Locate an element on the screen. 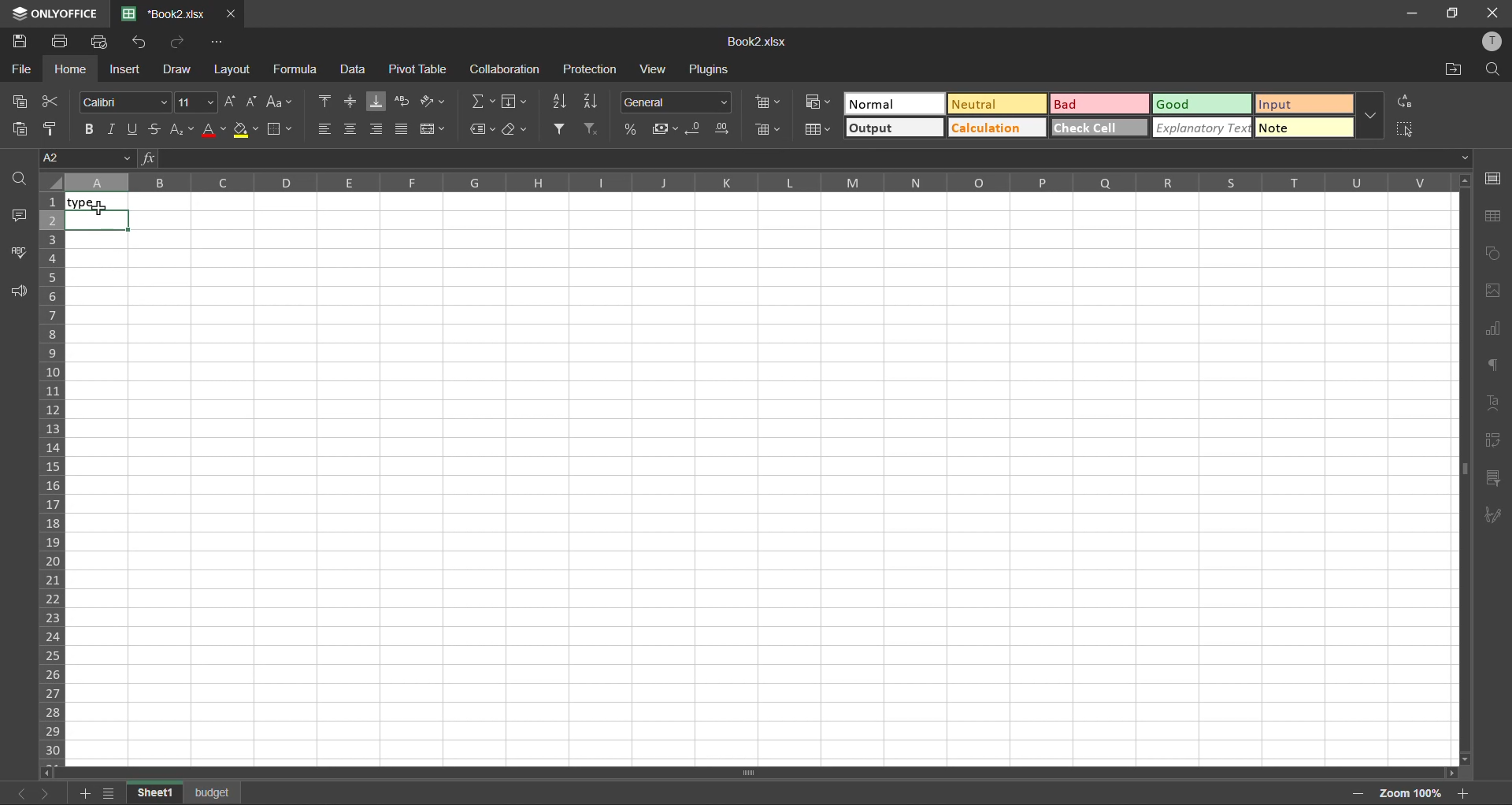  format as table  is located at coordinates (819, 130).